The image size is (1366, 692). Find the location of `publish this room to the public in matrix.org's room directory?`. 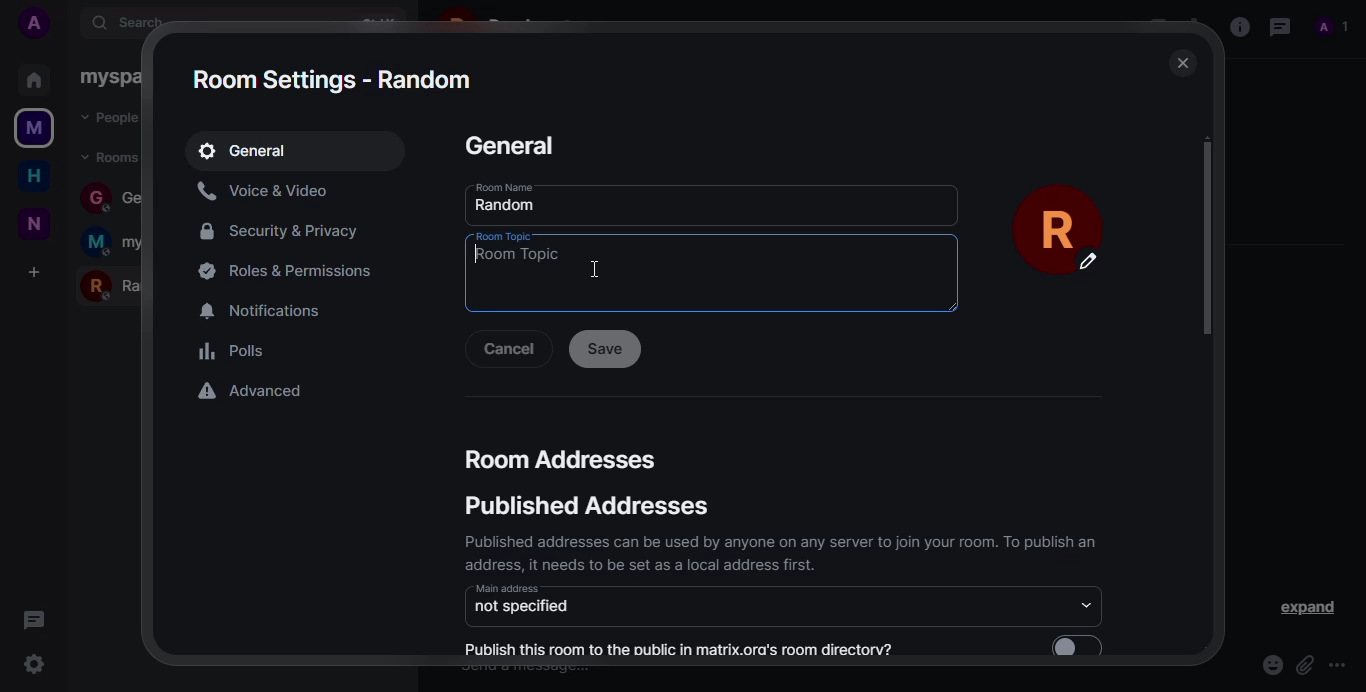

publish this room to the public in matrix.org's room directory? is located at coordinates (679, 650).